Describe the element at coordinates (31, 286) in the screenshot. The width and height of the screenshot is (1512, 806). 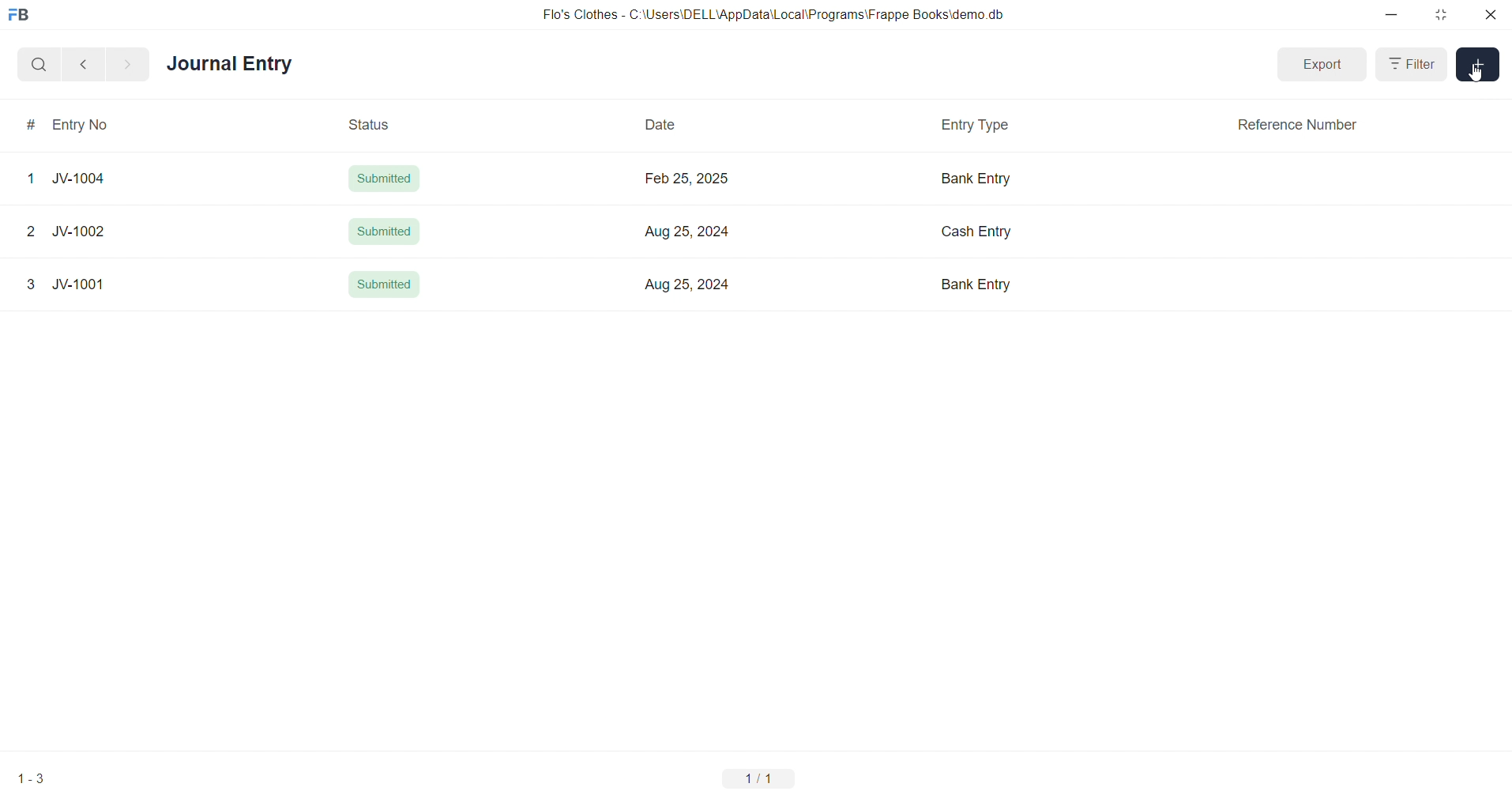
I see `3` at that location.